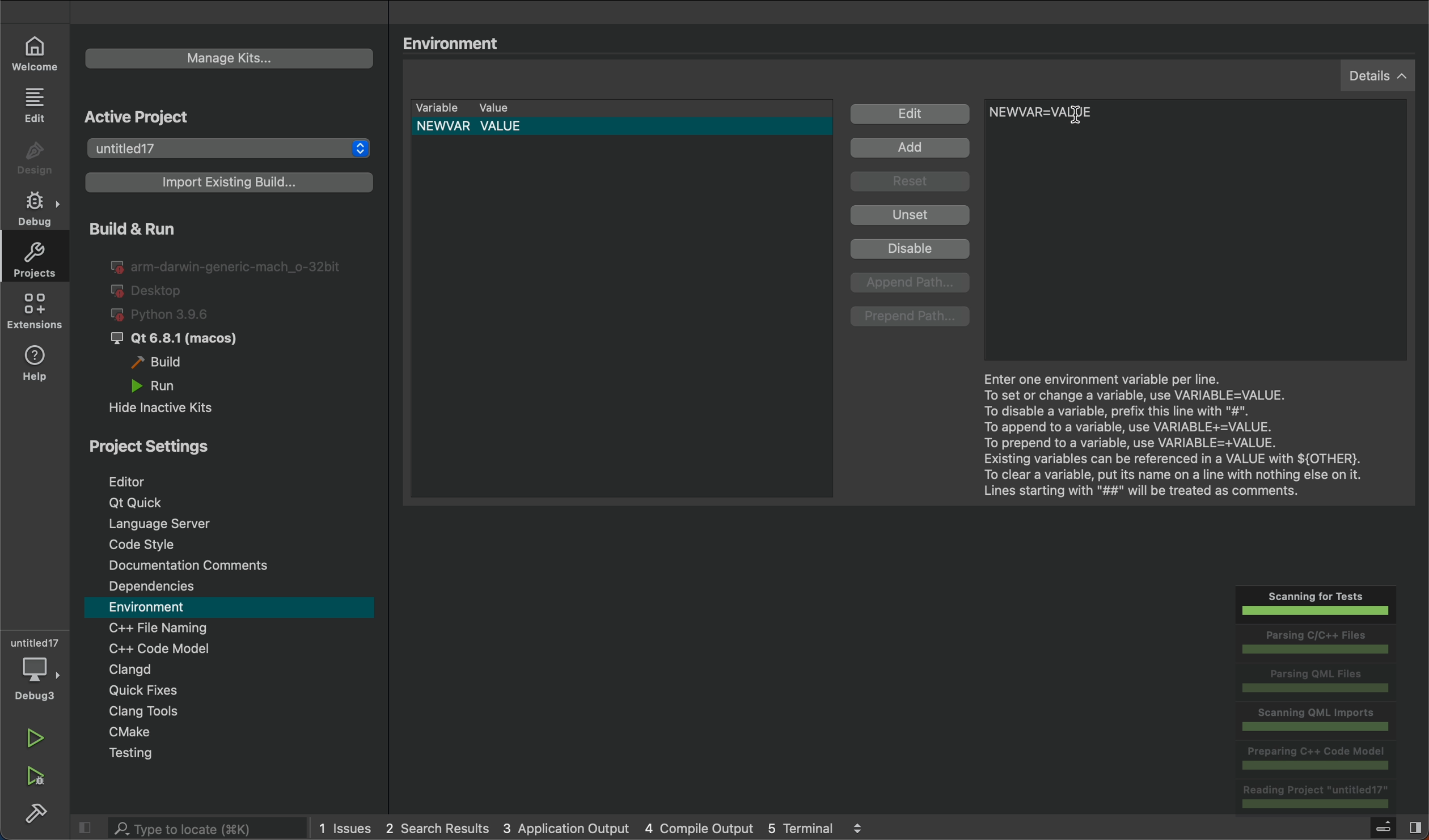 The image size is (1429, 840). I want to click on edit, so click(39, 104).